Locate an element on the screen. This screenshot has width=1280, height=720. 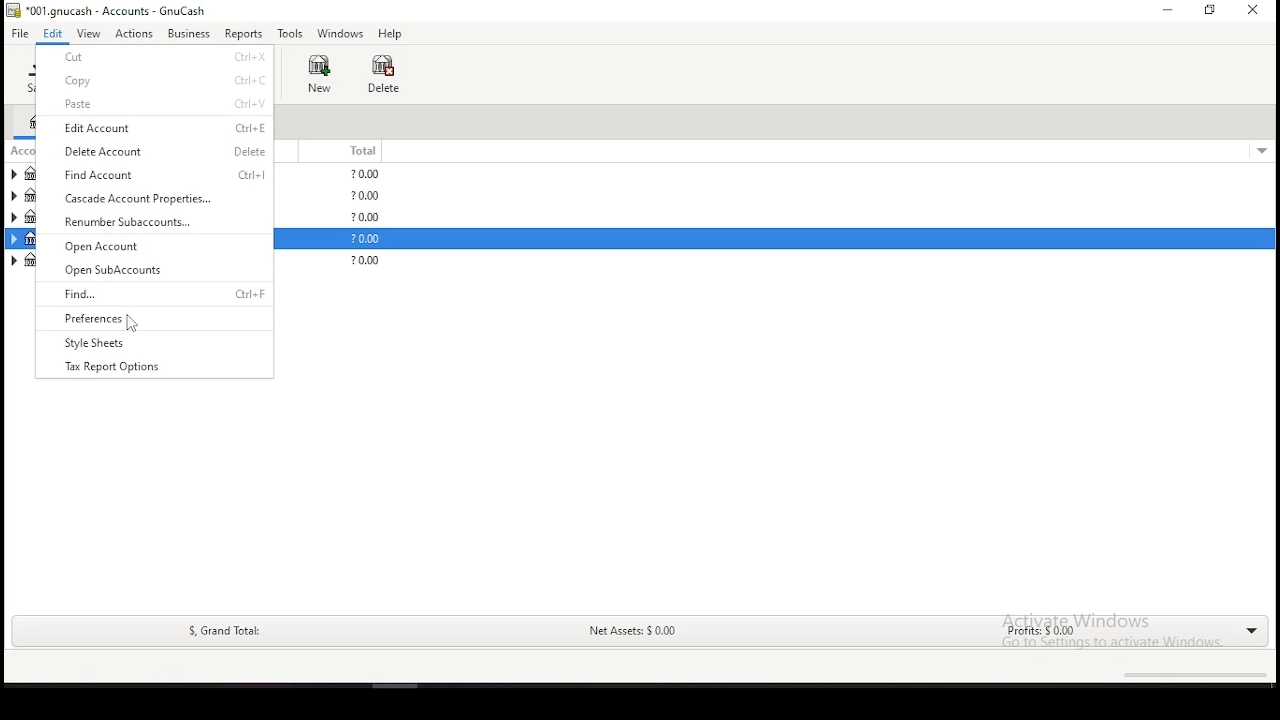
windows is located at coordinates (339, 34).